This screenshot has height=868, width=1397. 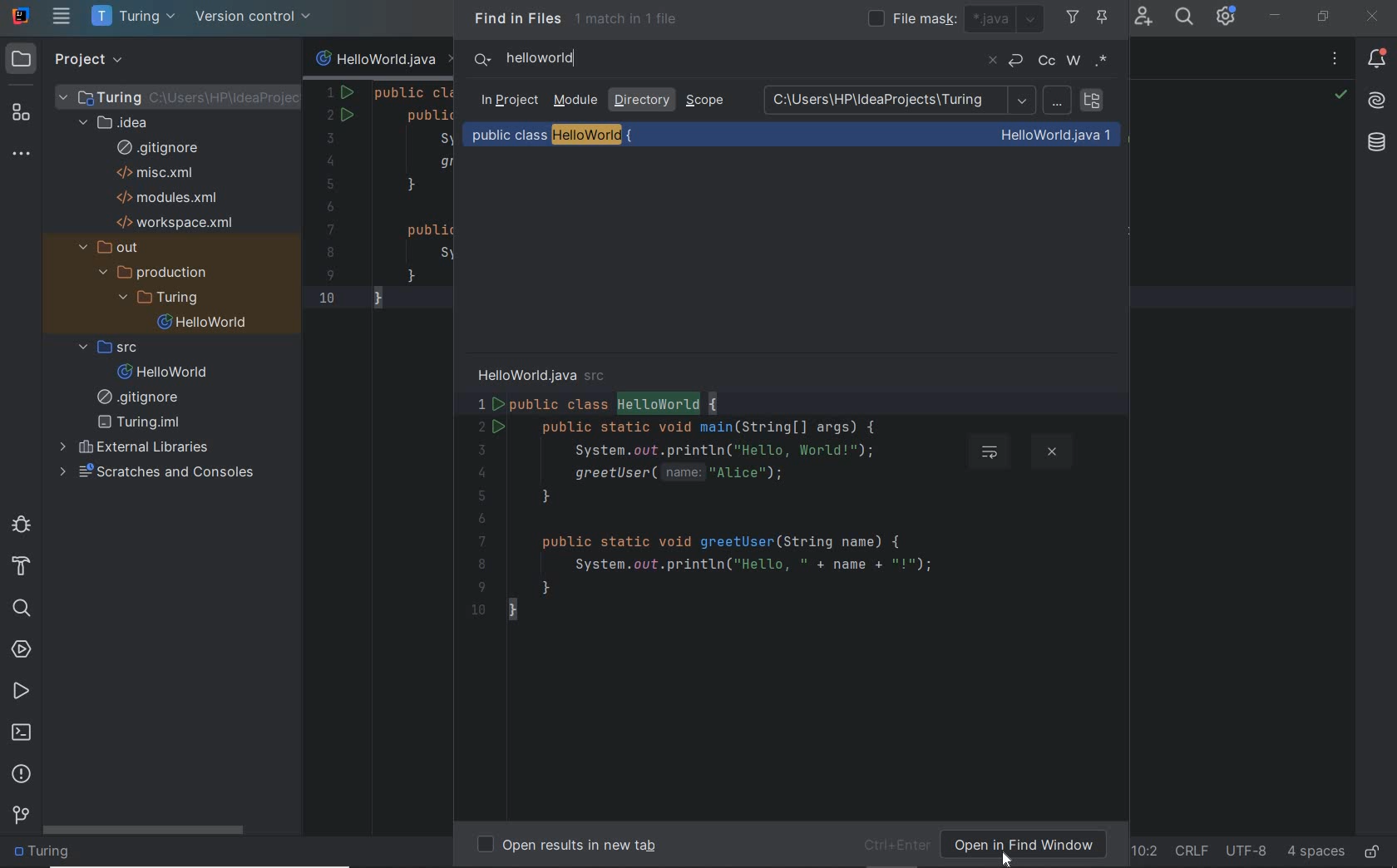 I want to click on run, so click(x=21, y=691).